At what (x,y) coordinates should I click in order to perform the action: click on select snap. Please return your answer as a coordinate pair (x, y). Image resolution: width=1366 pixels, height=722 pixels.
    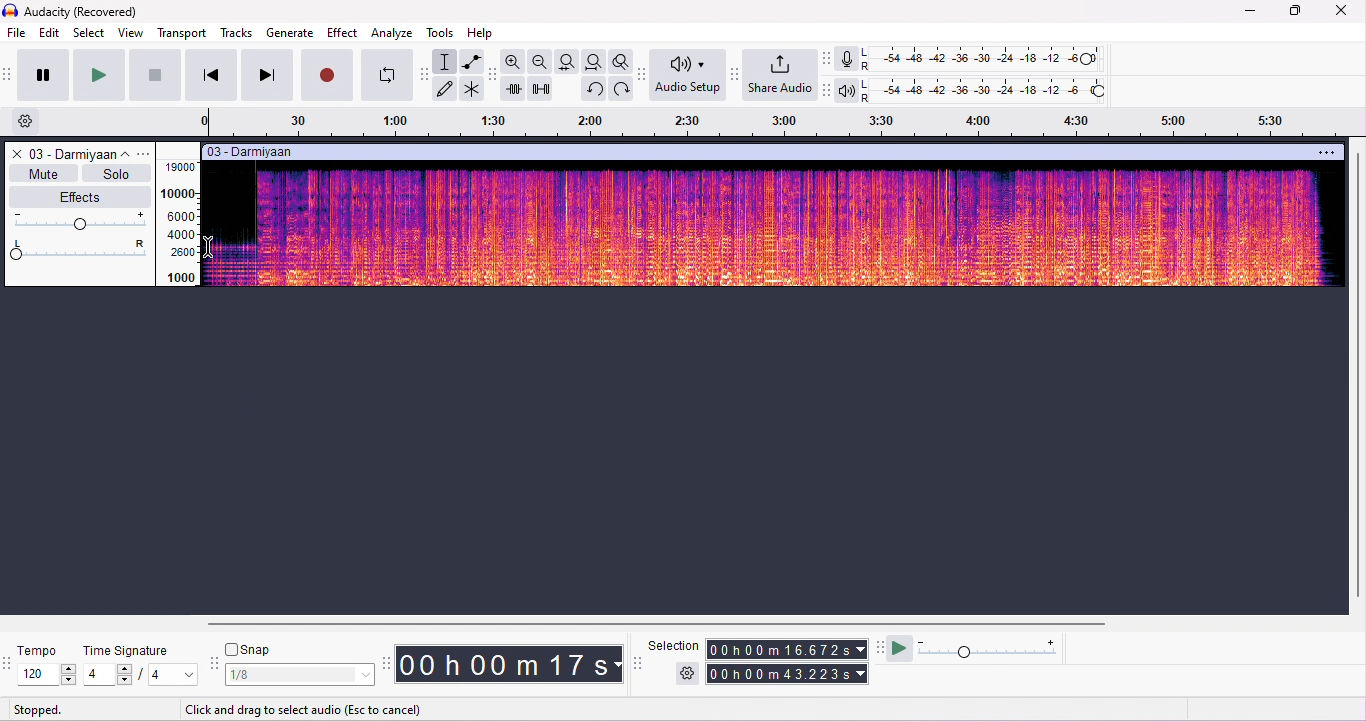
    Looking at the image, I should click on (302, 674).